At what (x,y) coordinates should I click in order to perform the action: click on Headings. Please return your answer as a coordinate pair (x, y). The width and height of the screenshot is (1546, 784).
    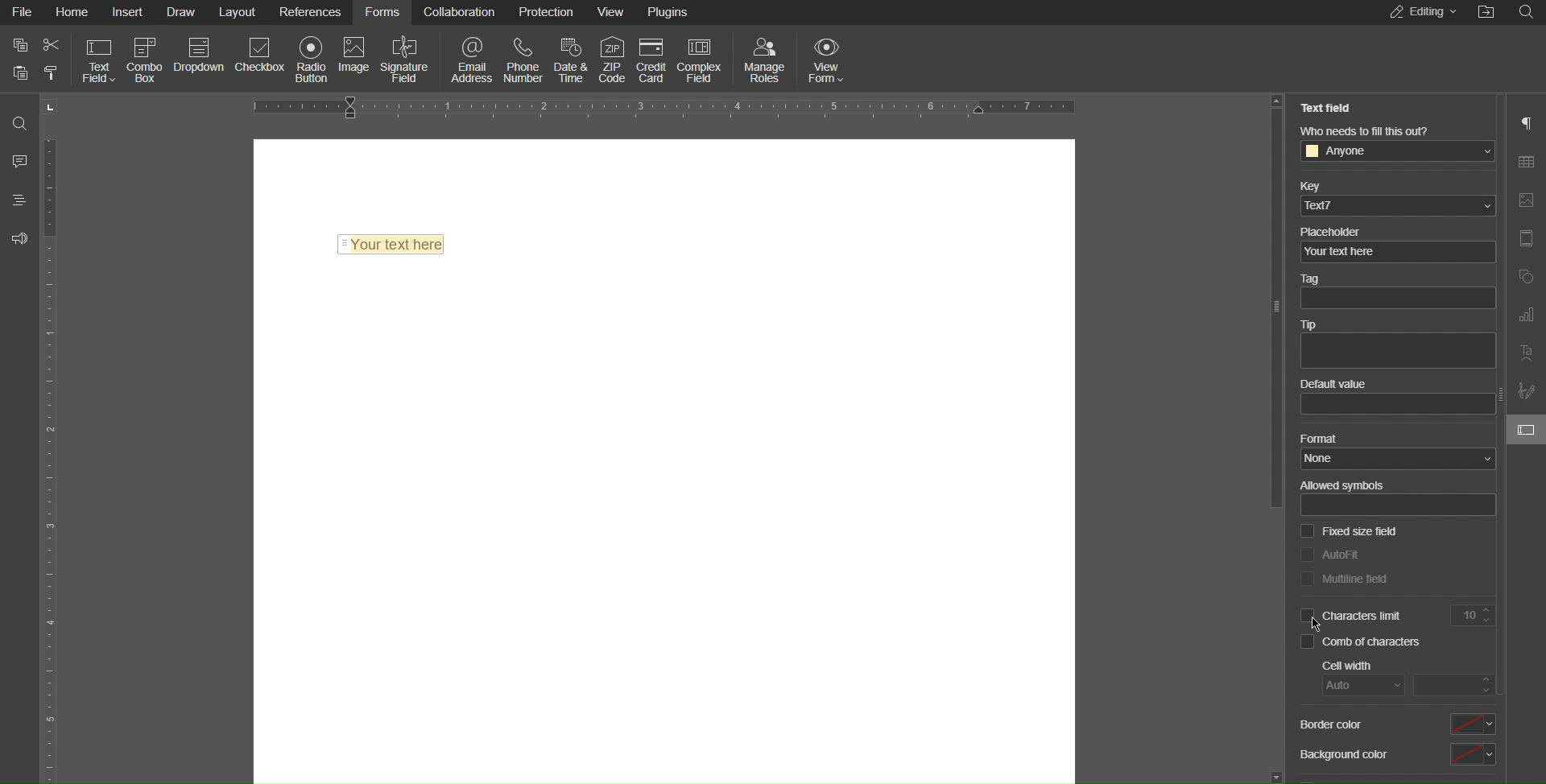
    Looking at the image, I should click on (15, 200).